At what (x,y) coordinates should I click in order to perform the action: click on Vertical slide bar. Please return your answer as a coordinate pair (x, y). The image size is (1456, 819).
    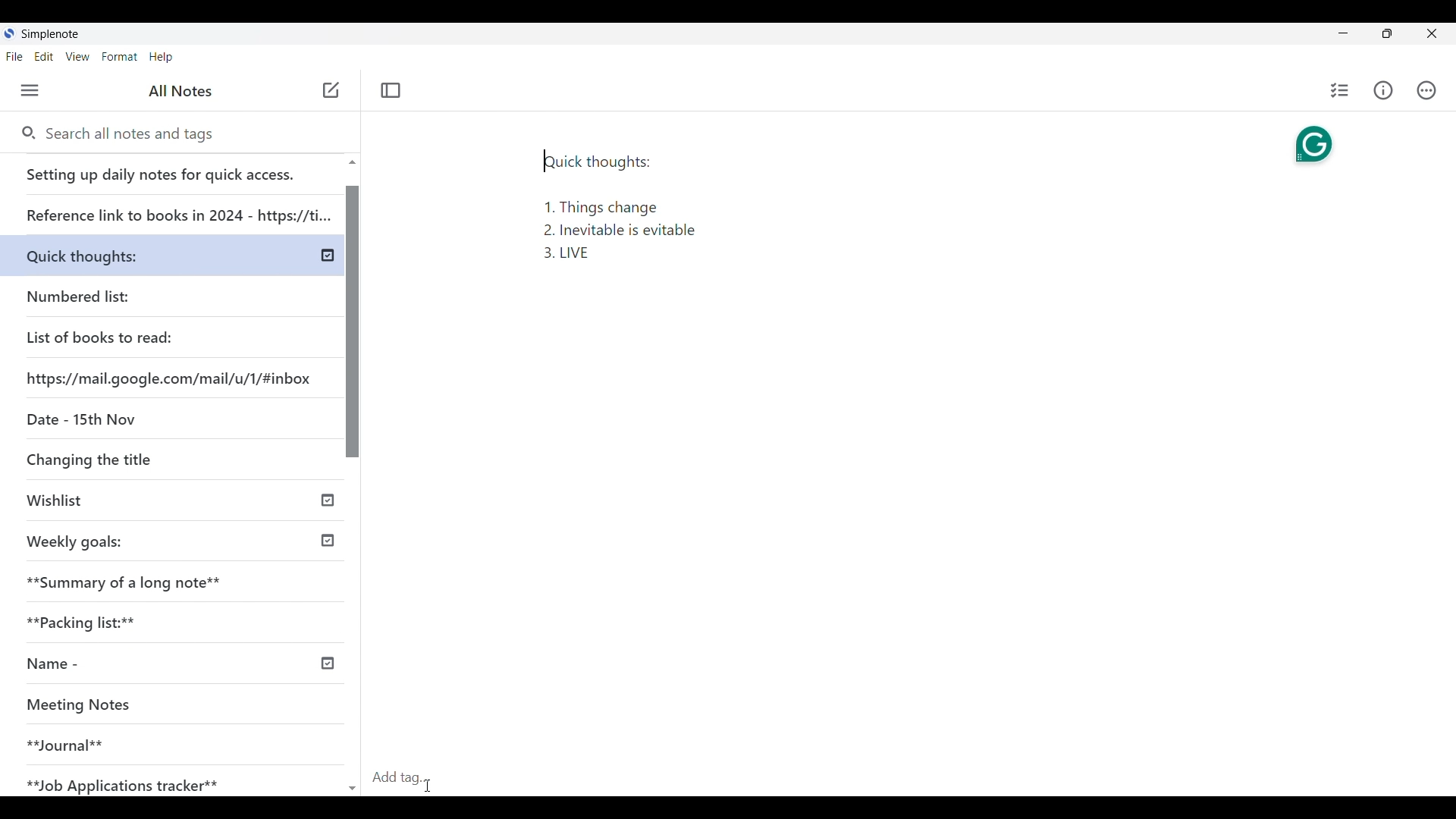
    Looking at the image, I should click on (354, 482).